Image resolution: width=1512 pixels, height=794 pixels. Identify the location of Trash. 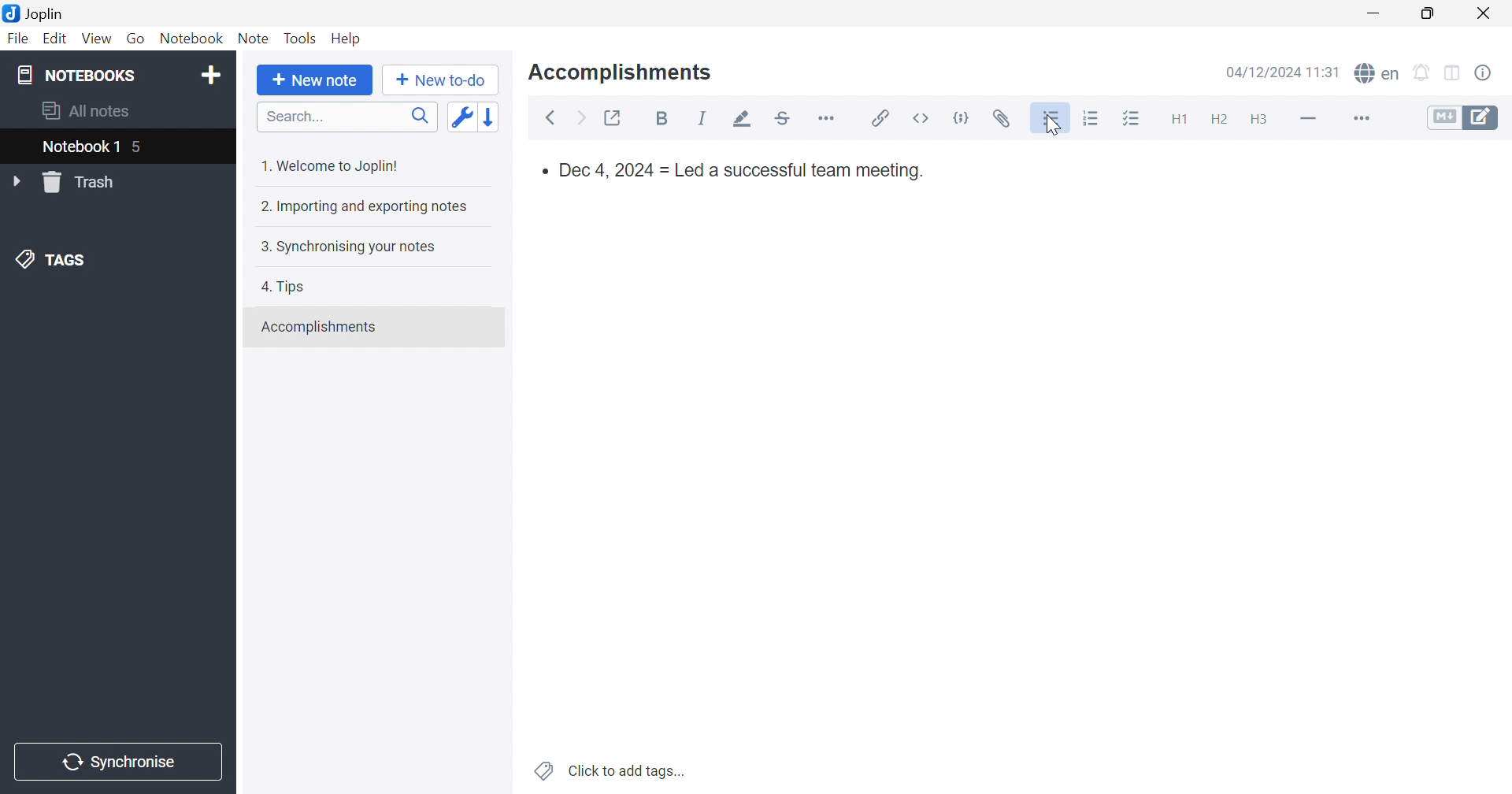
(83, 182).